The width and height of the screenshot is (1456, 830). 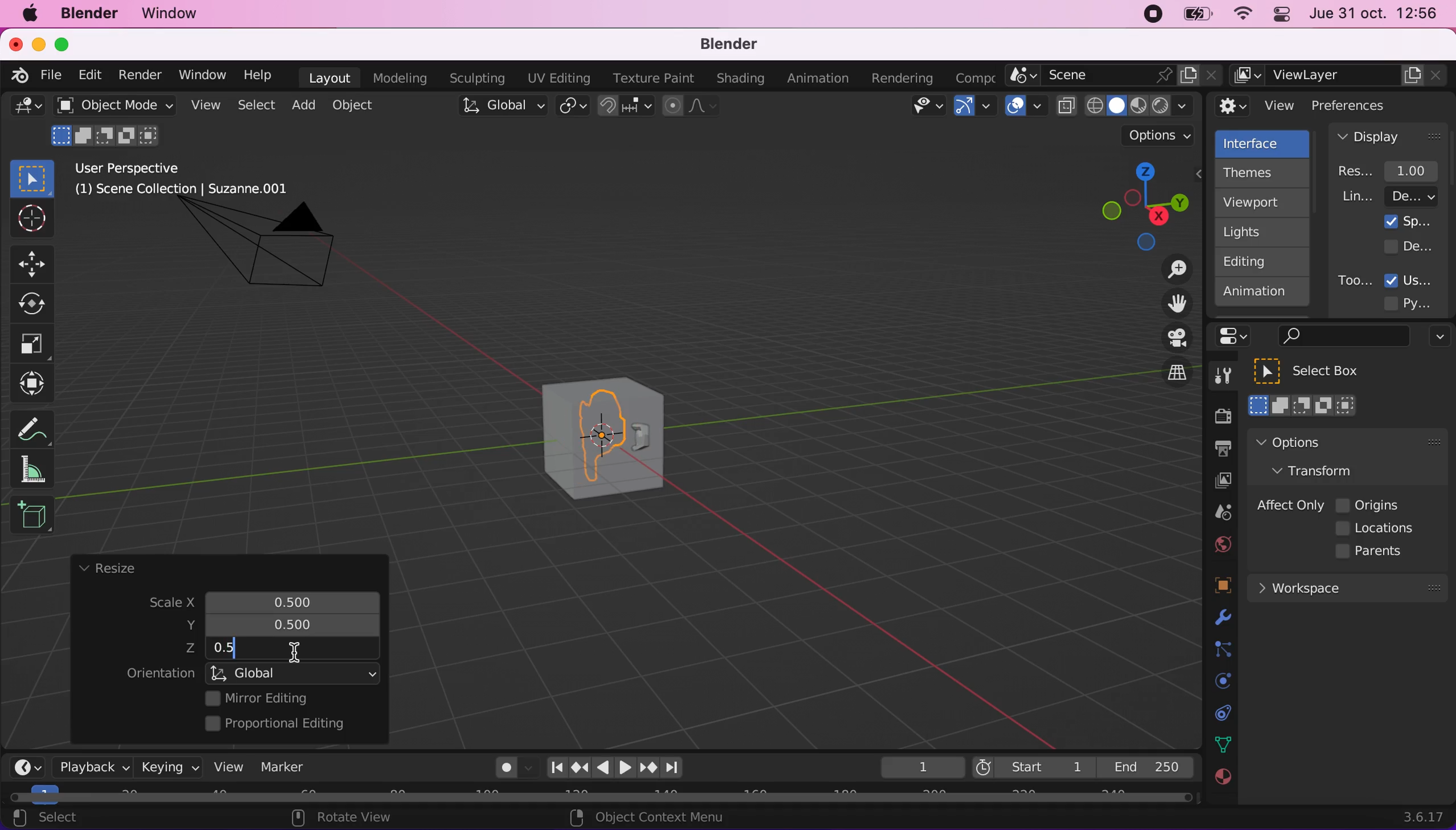 What do you see at coordinates (974, 109) in the screenshot?
I see `gizmos` at bounding box center [974, 109].